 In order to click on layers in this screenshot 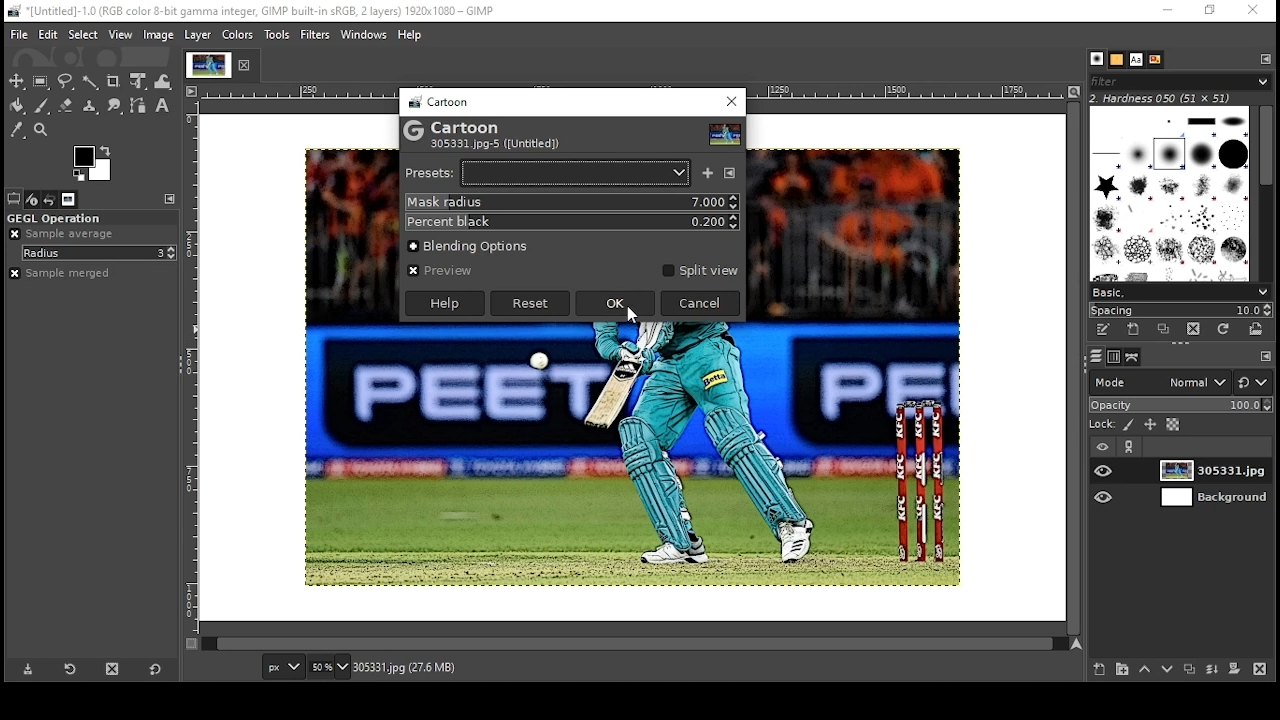, I will do `click(1097, 357)`.